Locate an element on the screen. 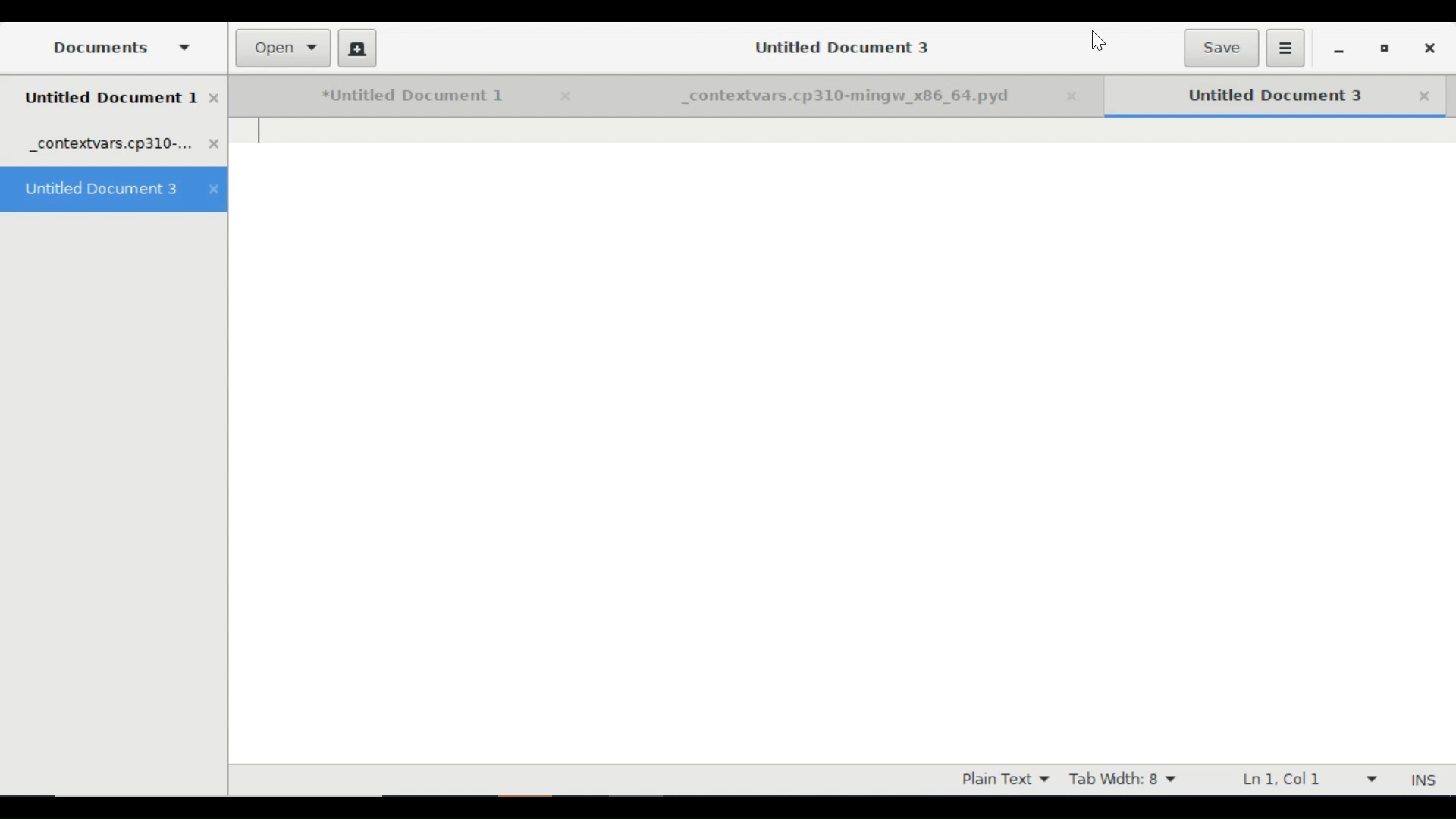  Insert is located at coordinates (1421, 780).